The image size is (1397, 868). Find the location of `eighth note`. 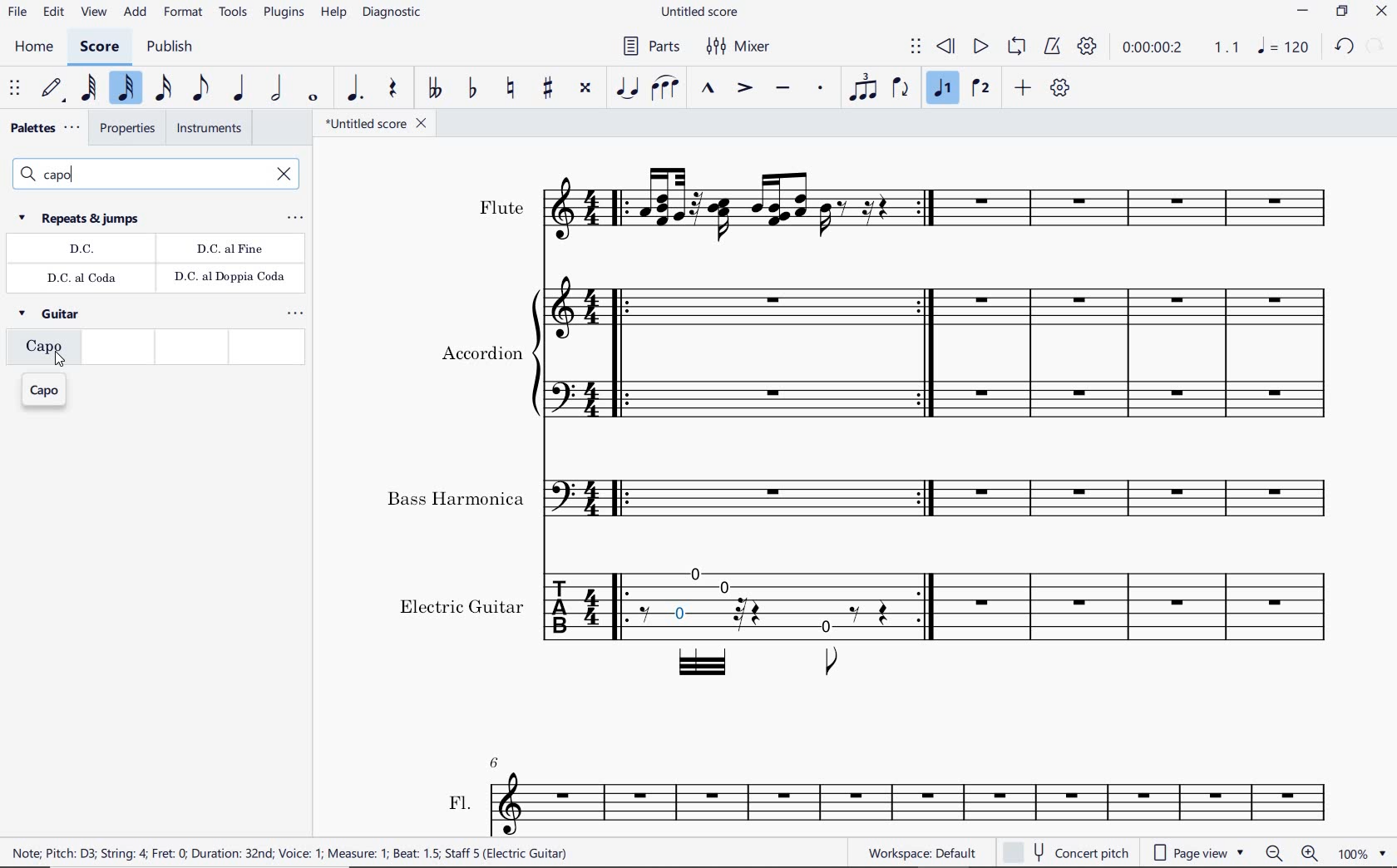

eighth note is located at coordinates (201, 88).